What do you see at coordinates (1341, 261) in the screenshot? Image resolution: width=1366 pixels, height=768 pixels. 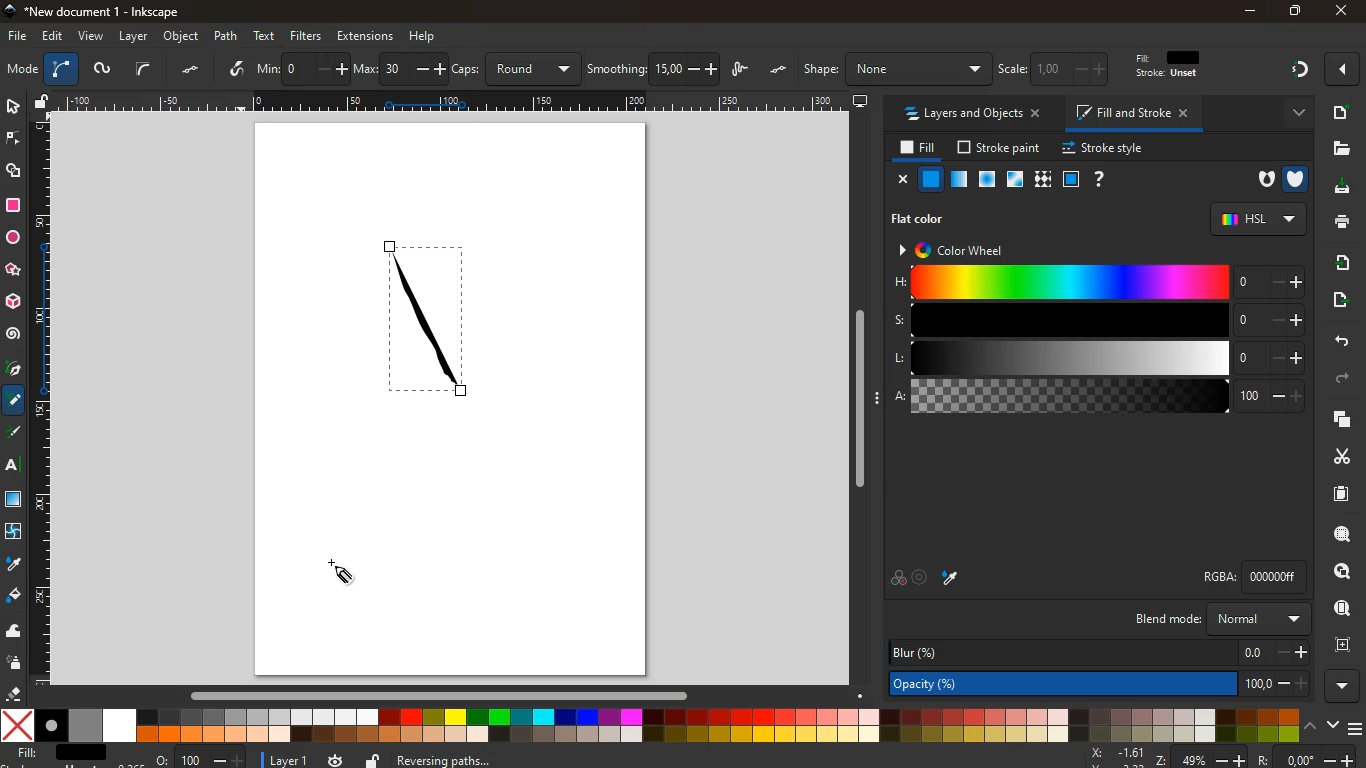 I see `receive` at bounding box center [1341, 261].